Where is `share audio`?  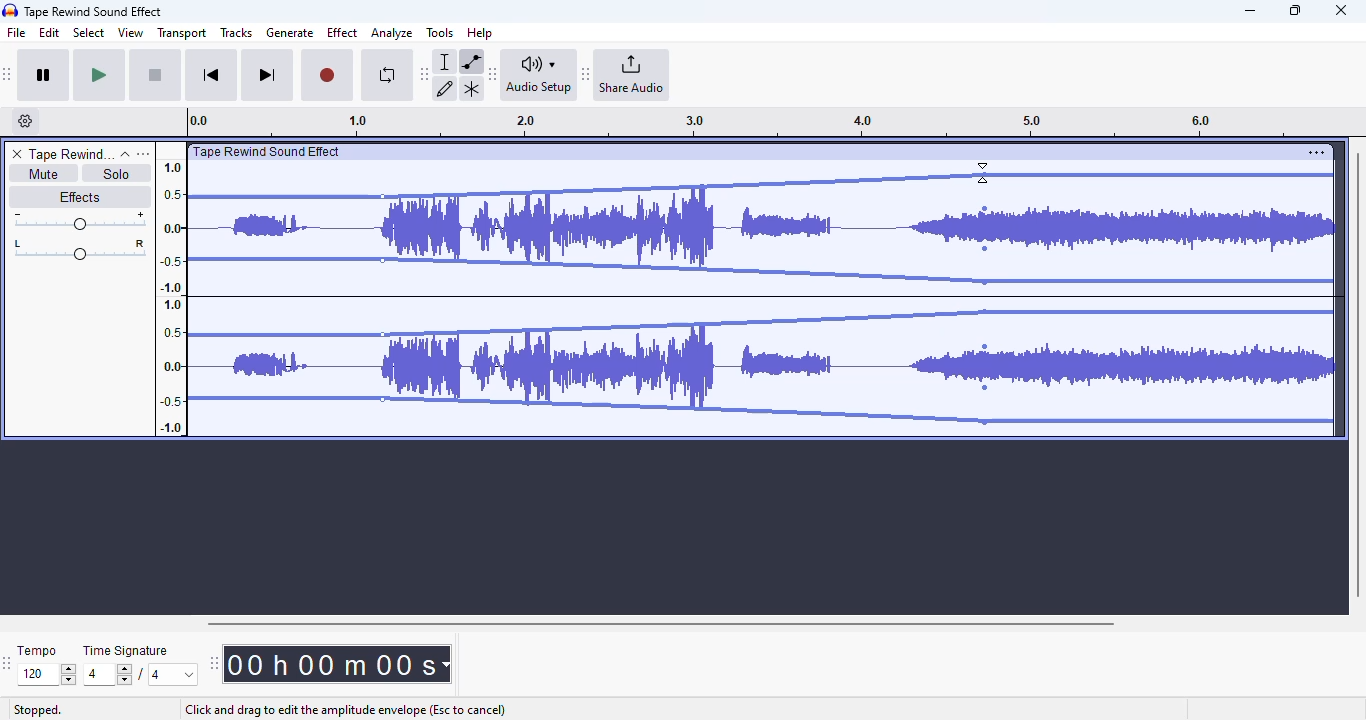
share audio is located at coordinates (633, 75).